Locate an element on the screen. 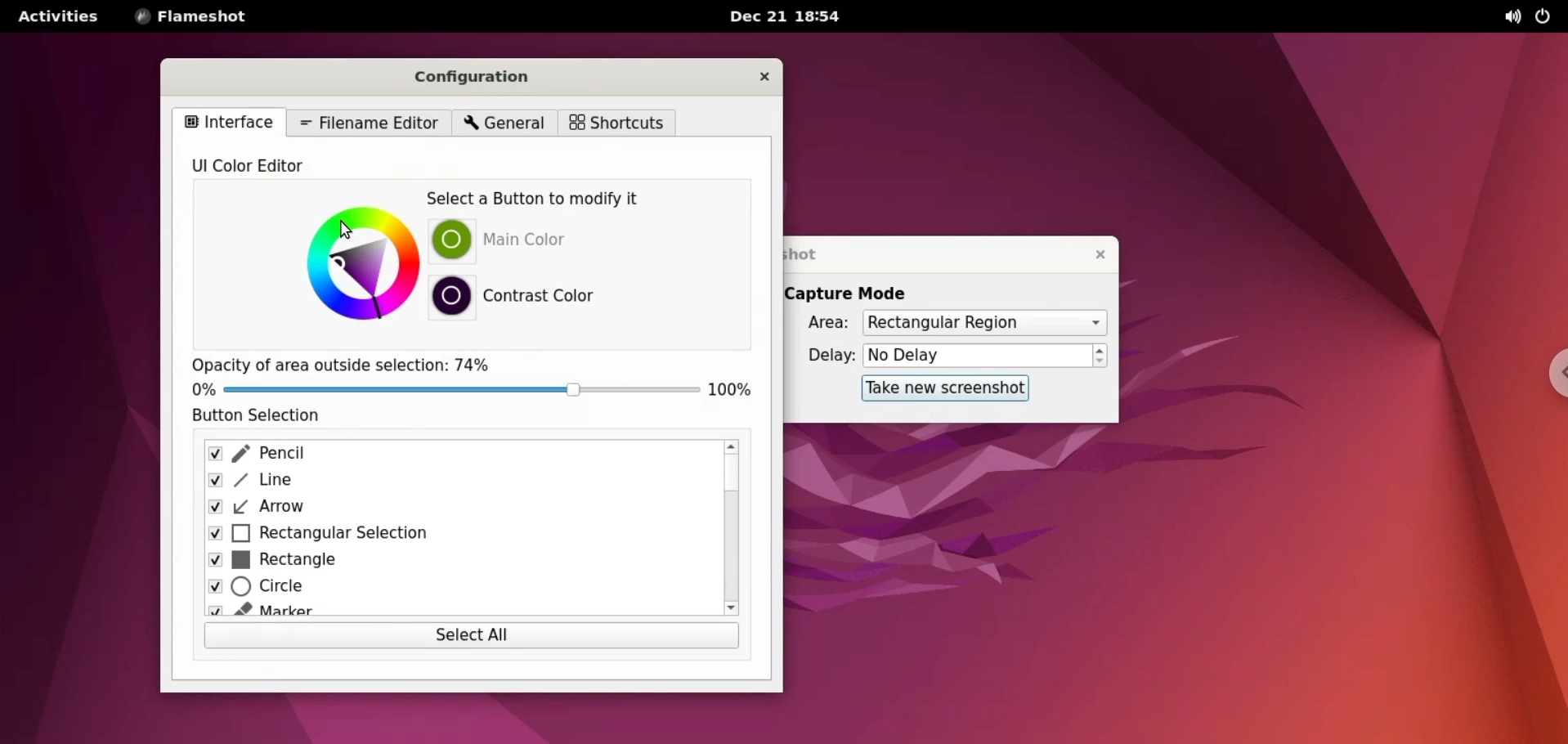 The image size is (1568, 744). 0% opacity marking label is located at coordinates (204, 391).